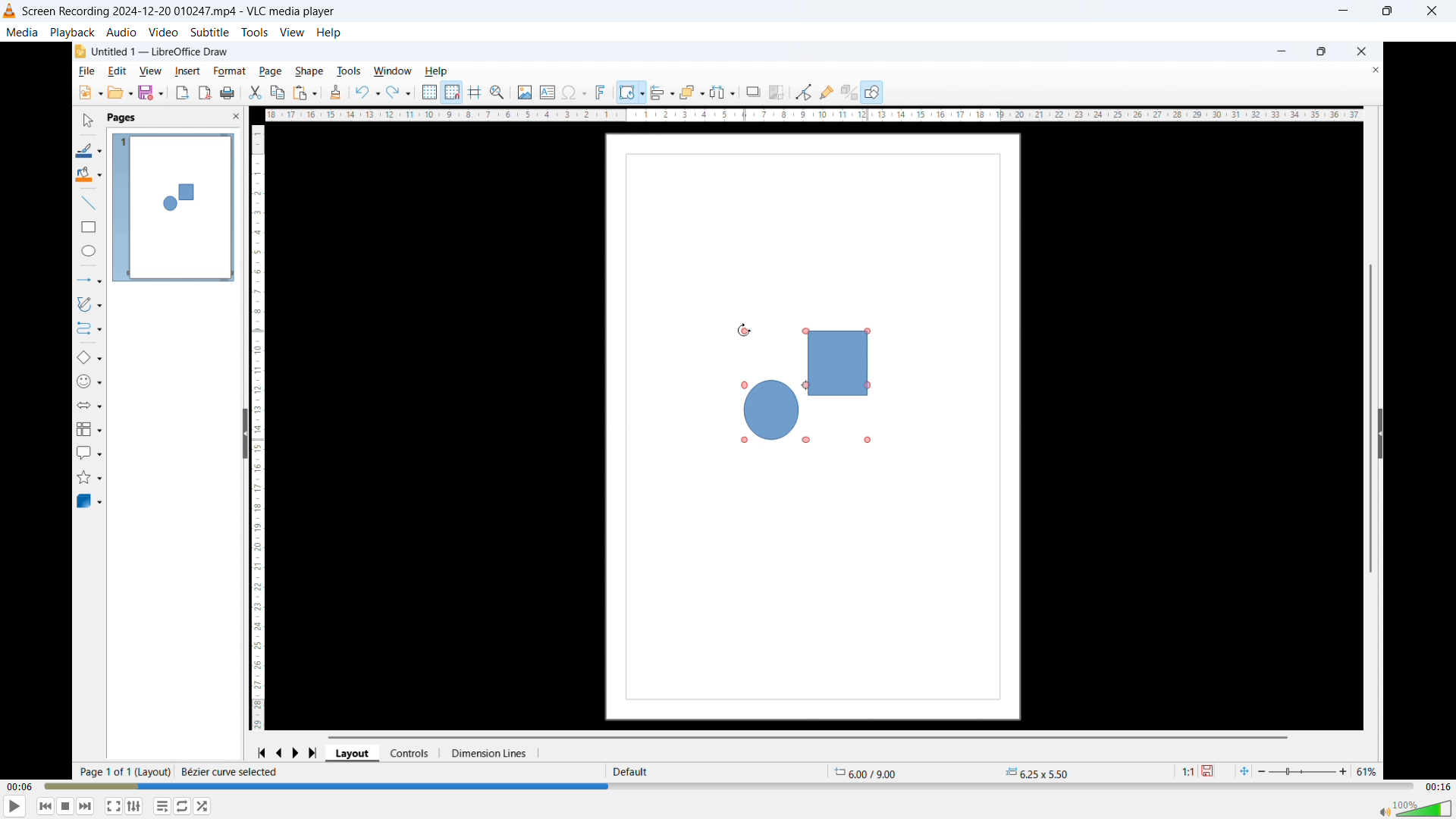 The height and width of the screenshot is (819, 1456). Describe the element at coordinates (255, 32) in the screenshot. I see `Tools ` at that location.